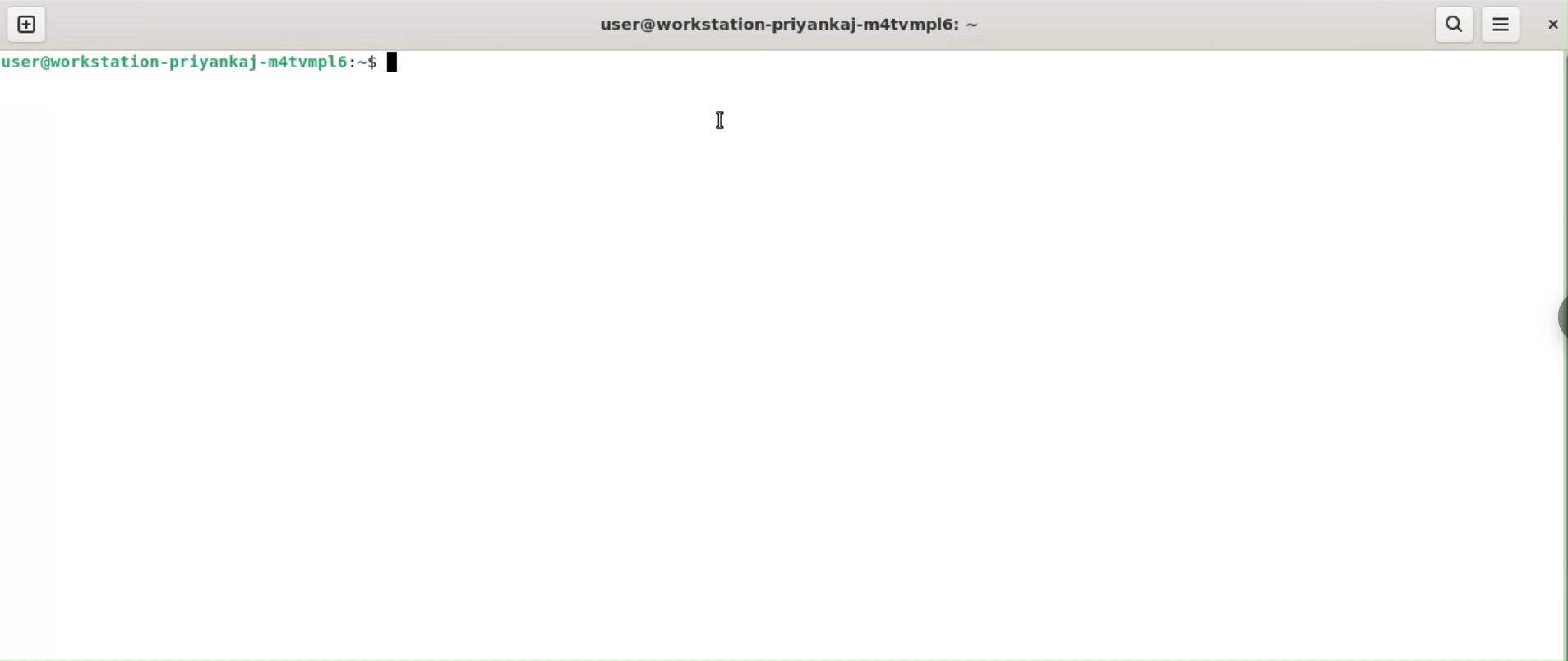 The image size is (1568, 661). What do you see at coordinates (26, 24) in the screenshot?
I see `new tab` at bounding box center [26, 24].